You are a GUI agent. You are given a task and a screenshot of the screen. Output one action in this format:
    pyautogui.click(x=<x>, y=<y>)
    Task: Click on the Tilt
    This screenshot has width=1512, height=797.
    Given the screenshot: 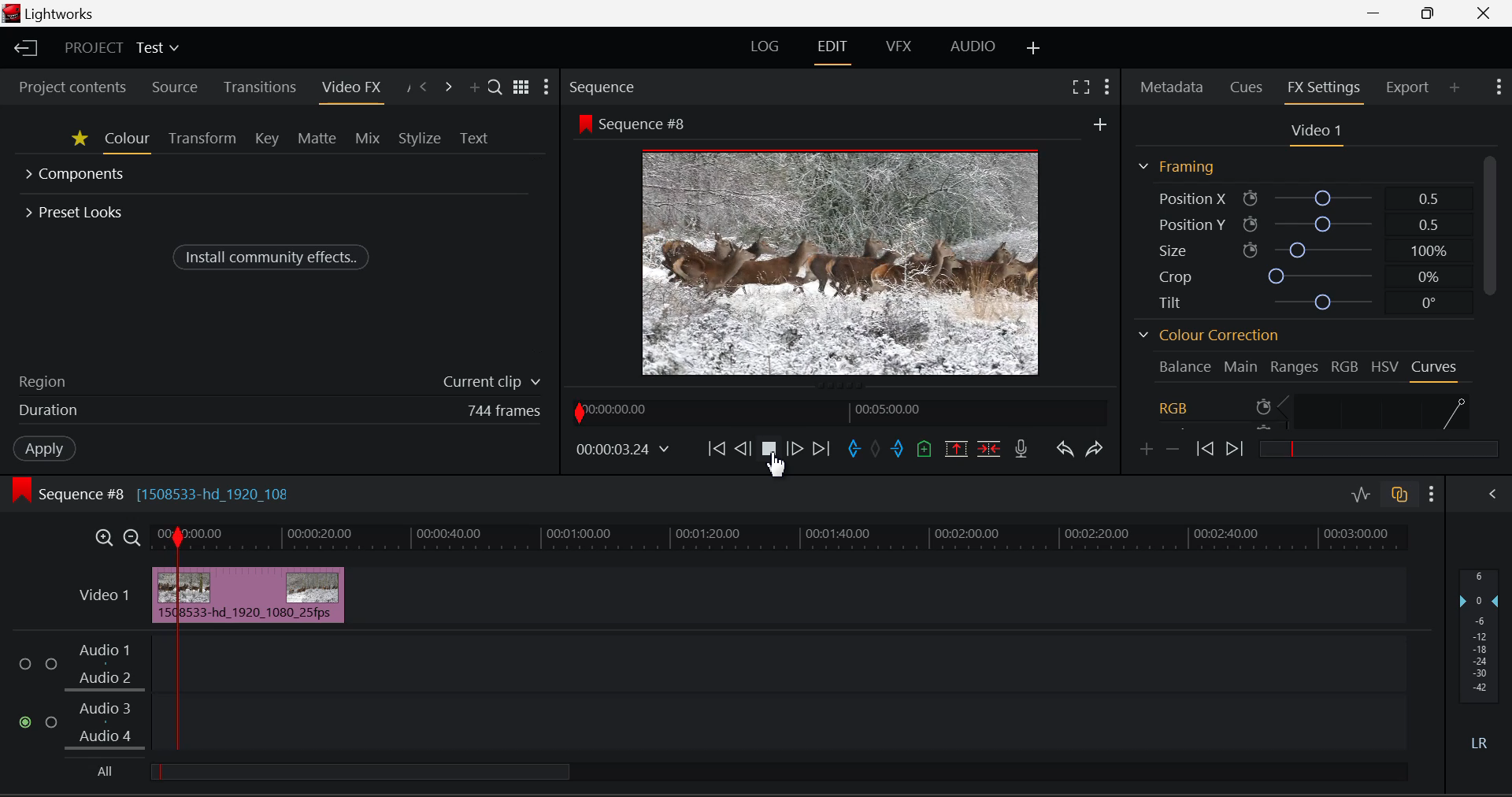 What is the action you would take?
    pyautogui.click(x=1298, y=301)
    